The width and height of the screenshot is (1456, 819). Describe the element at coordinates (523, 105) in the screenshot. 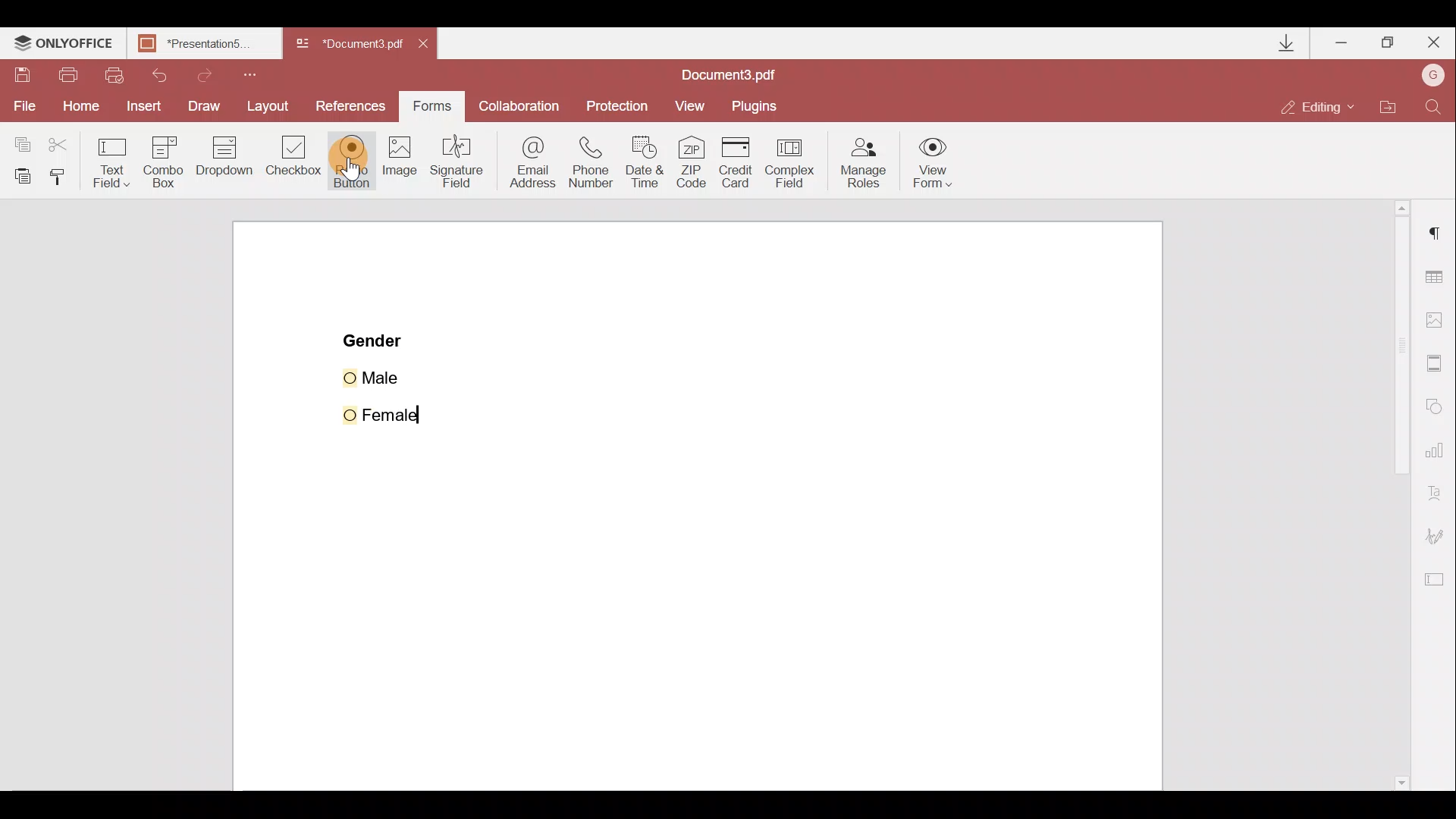

I see `Collaboration` at that location.